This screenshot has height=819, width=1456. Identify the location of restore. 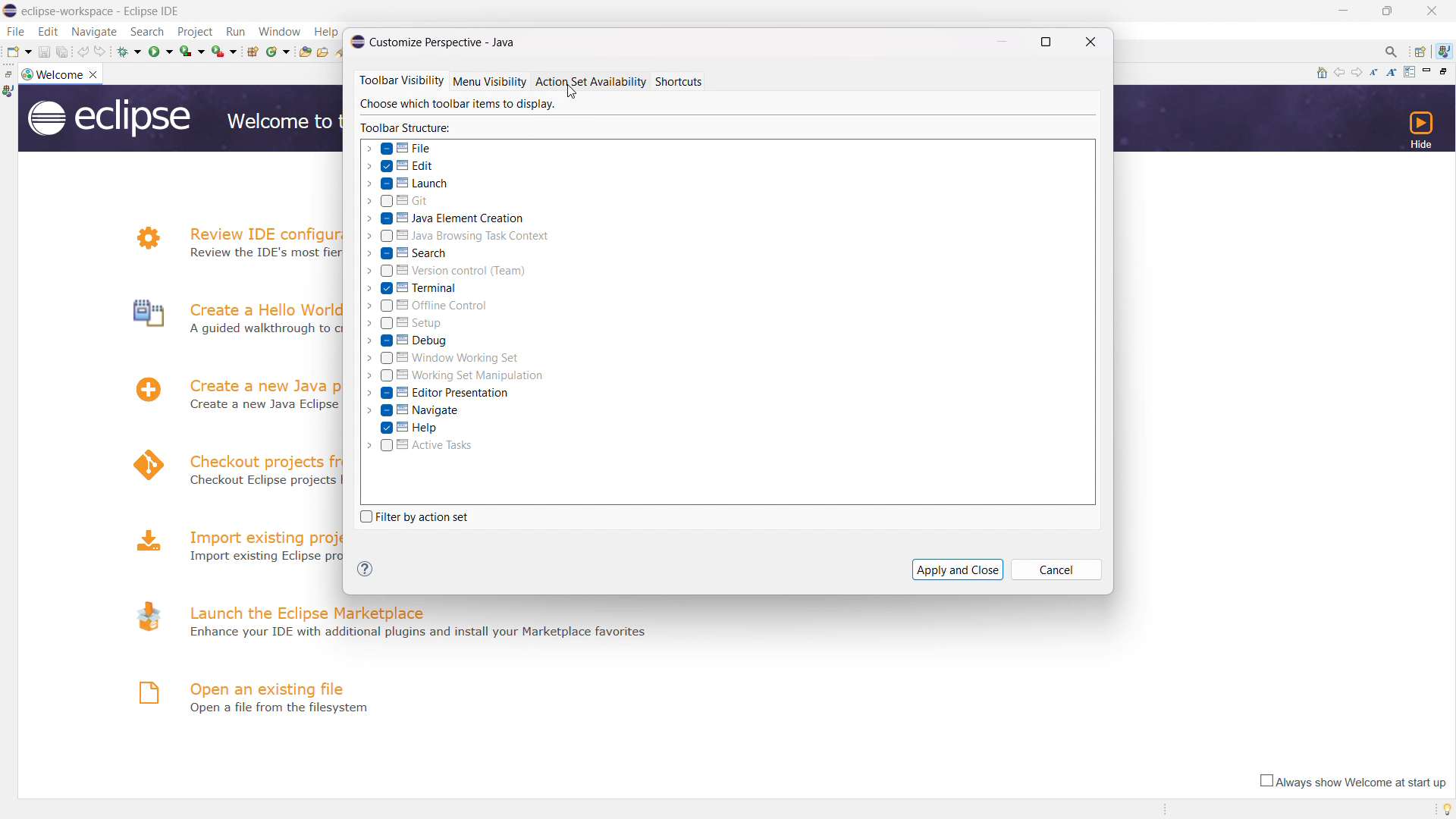
(1447, 71).